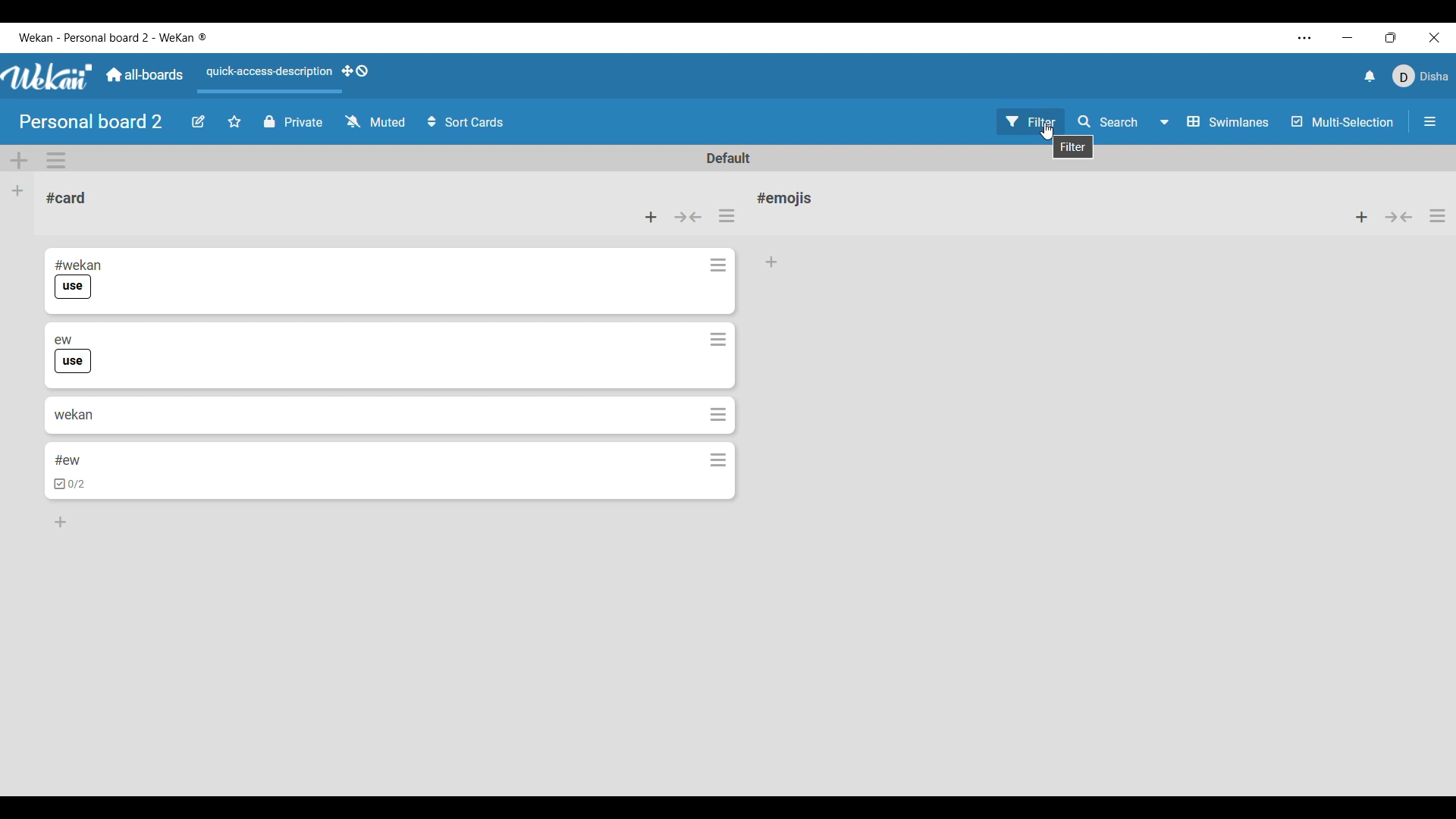 The width and height of the screenshot is (1456, 819). I want to click on Settings and more, so click(1305, 38).